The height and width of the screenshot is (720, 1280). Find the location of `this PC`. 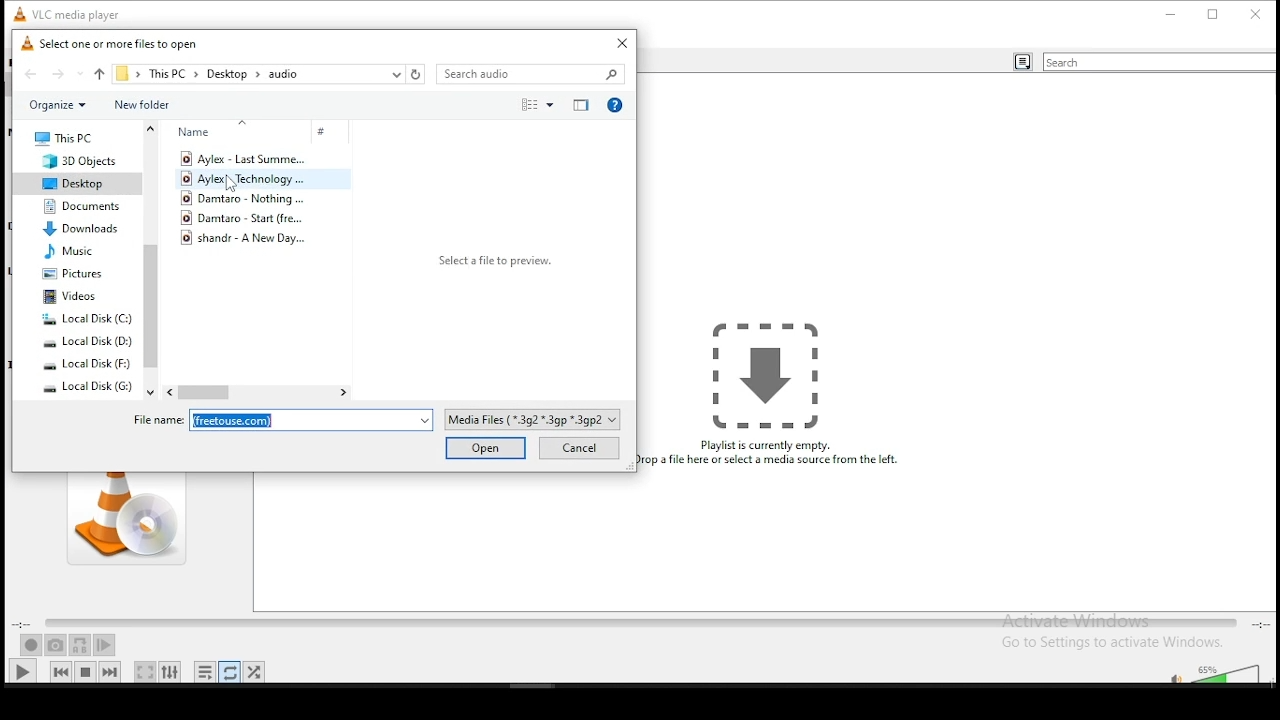

this PC is located at coordinates (67, 139).